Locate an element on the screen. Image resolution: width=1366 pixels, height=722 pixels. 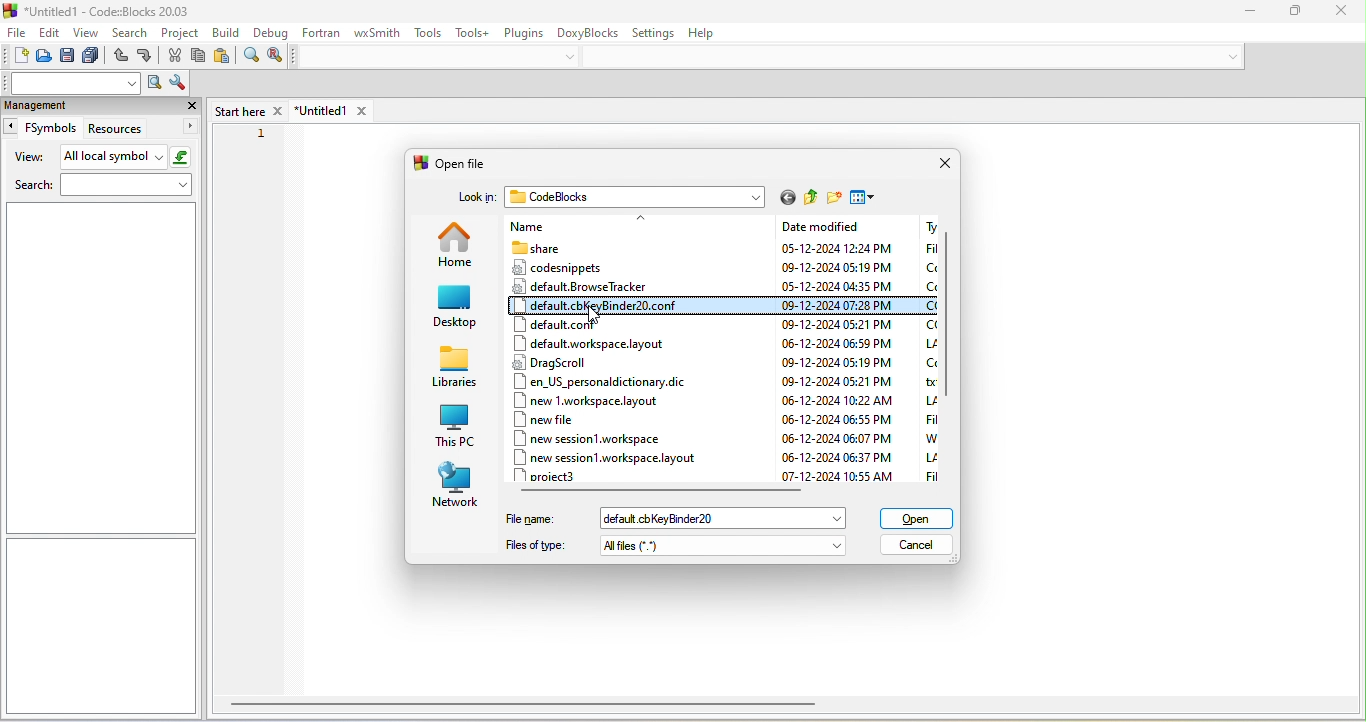
network is located at coordinates (457, 484).